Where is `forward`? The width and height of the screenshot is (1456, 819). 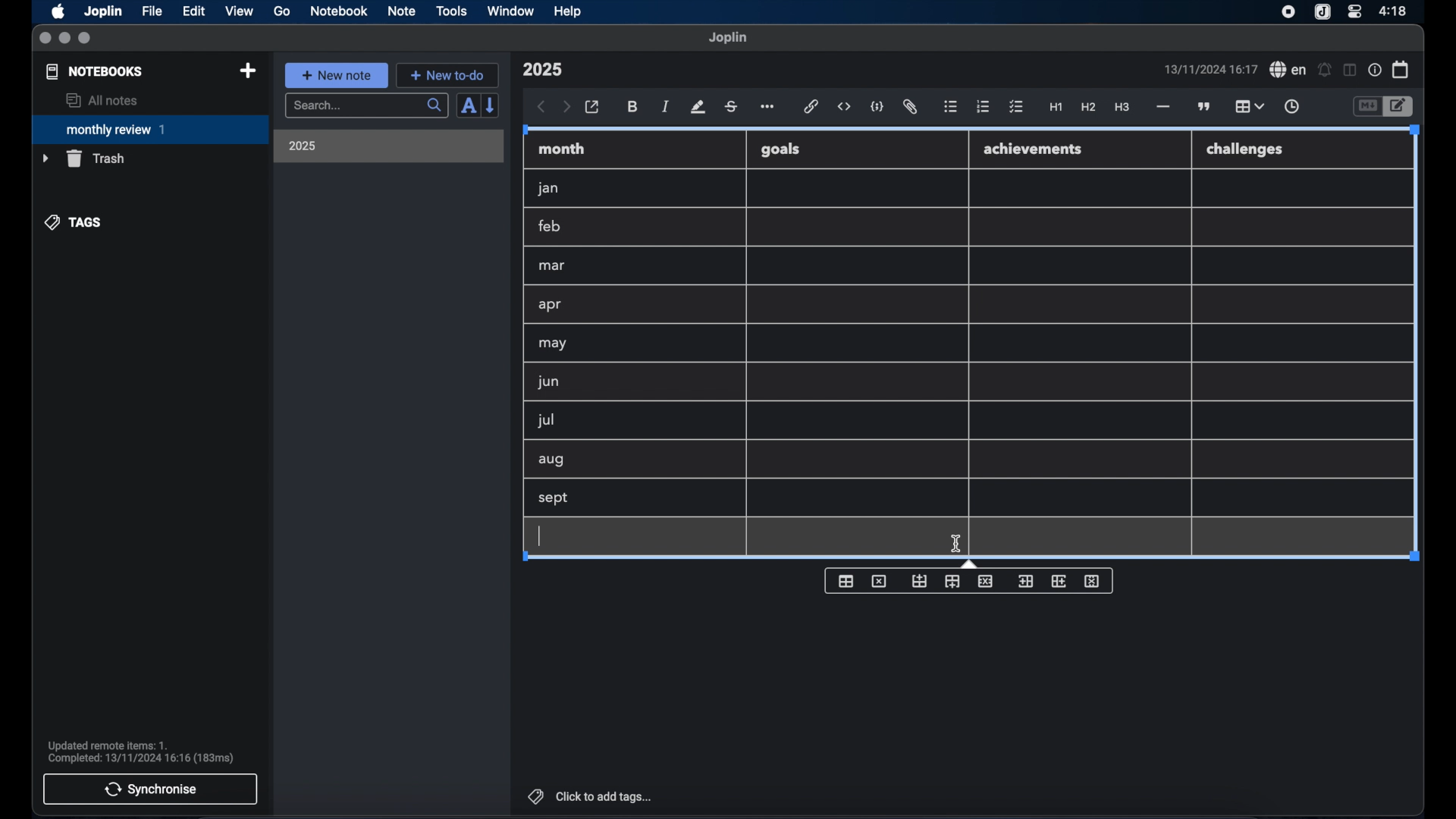
forward is located at coordinates (566, 108).